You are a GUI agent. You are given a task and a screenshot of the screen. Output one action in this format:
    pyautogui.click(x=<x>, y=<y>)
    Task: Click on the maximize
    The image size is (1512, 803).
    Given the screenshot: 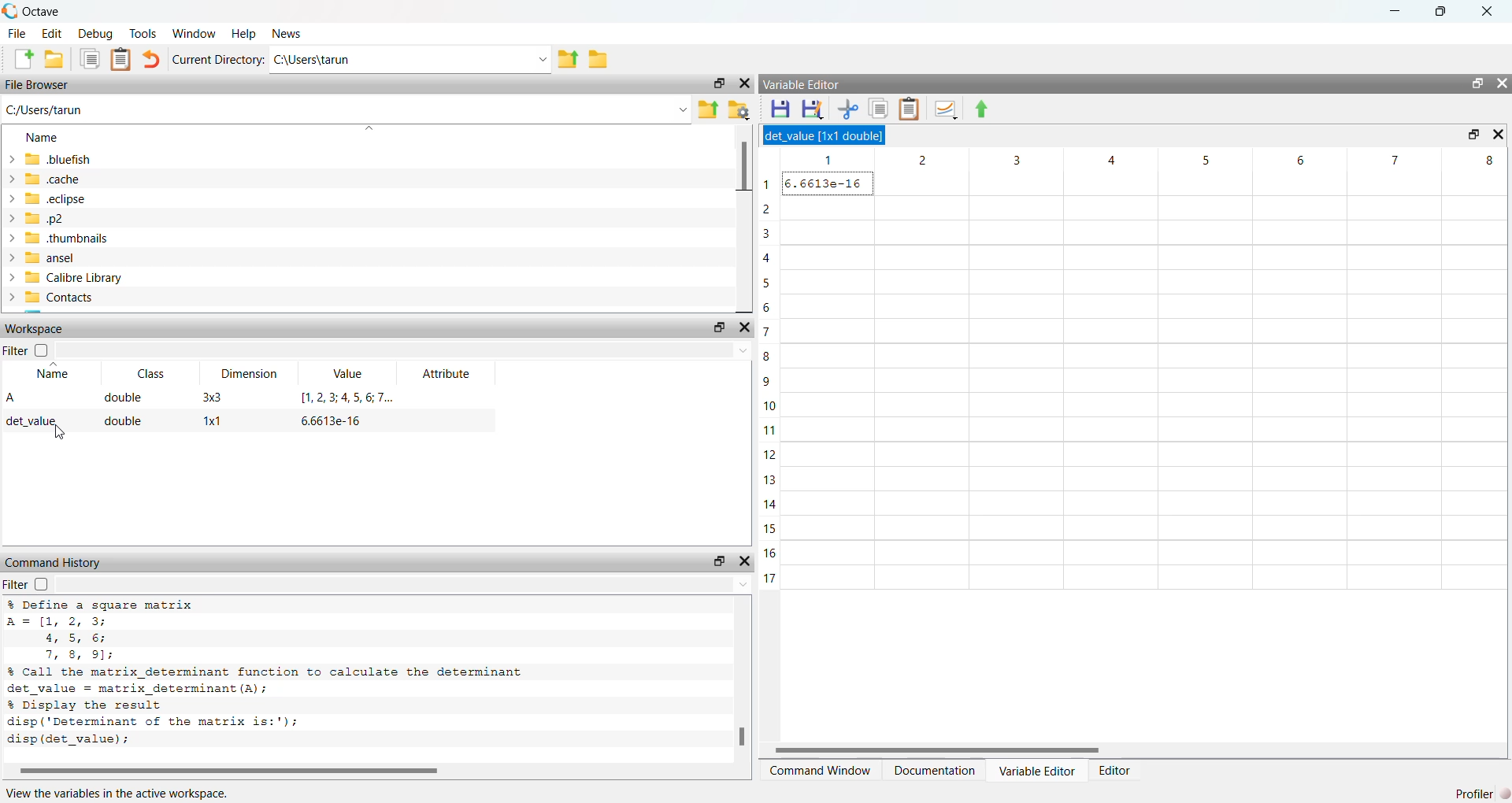 What is the action you would take?
    pyautogui.click(x=1477, y=83)
    